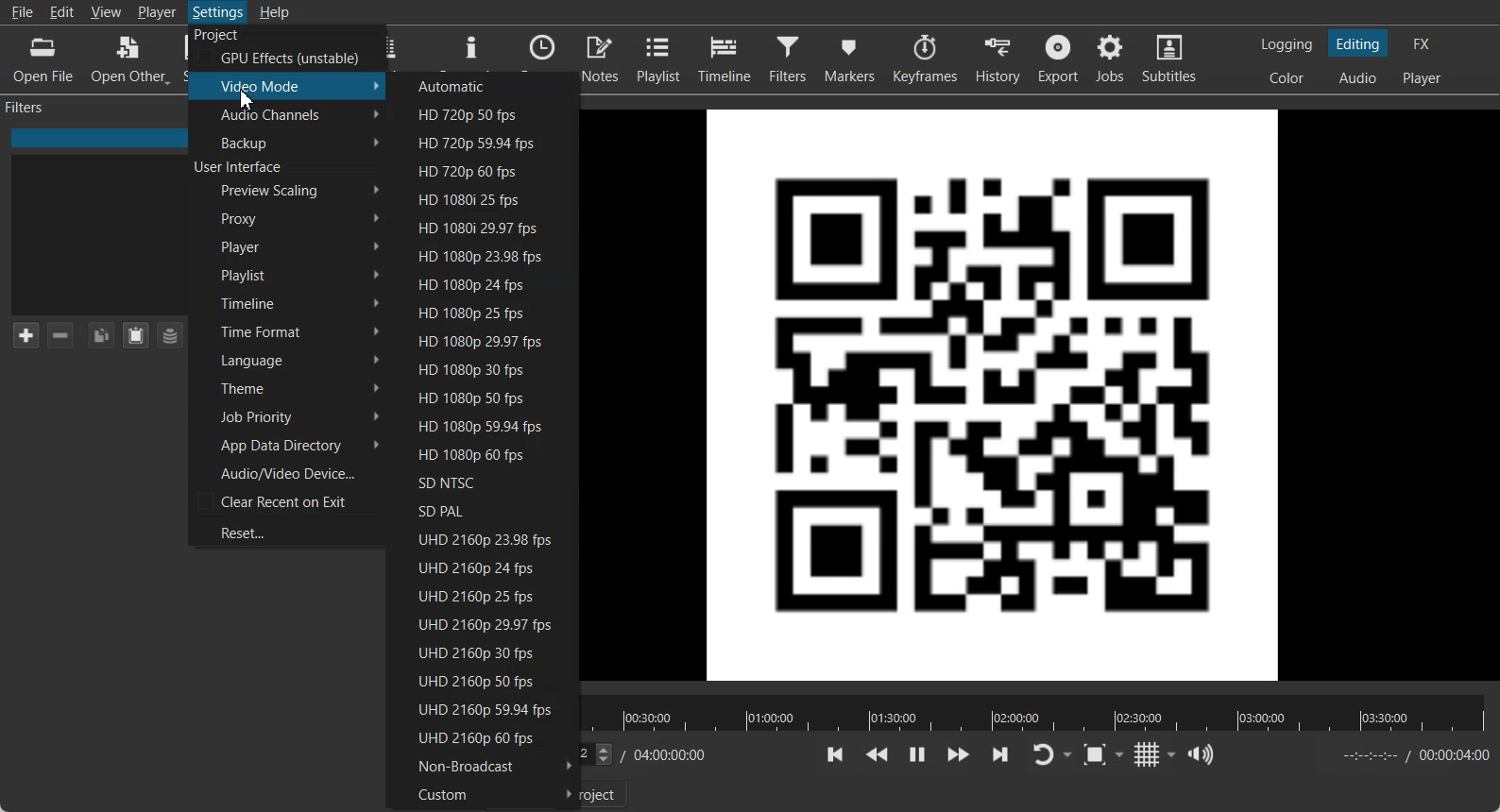  What do you see at coordinates (476, 567) in the screenshot?
I see `UHD 2160p 24 fps` at bounding box center [476, 567].